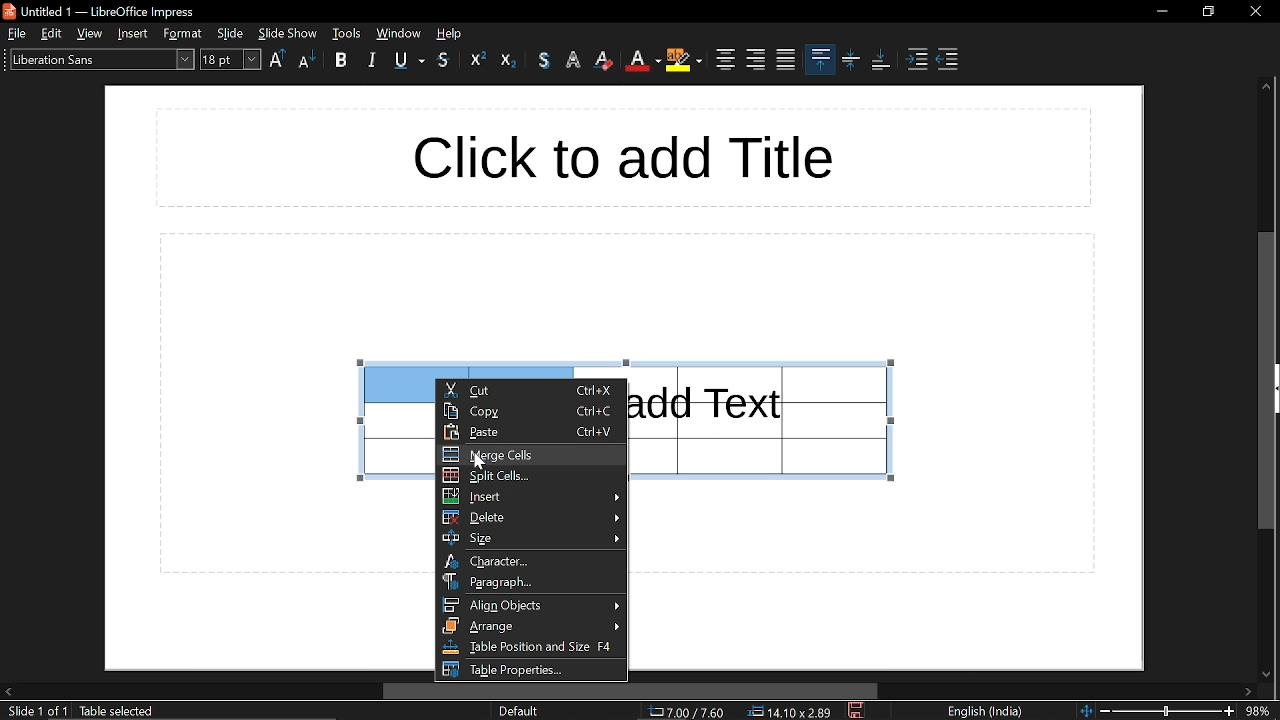 This screenshot has height=720, width=1280. What do you see at coordinates (723, 60) in the screenshot?
I see `center` at bounding box center [723, 60].